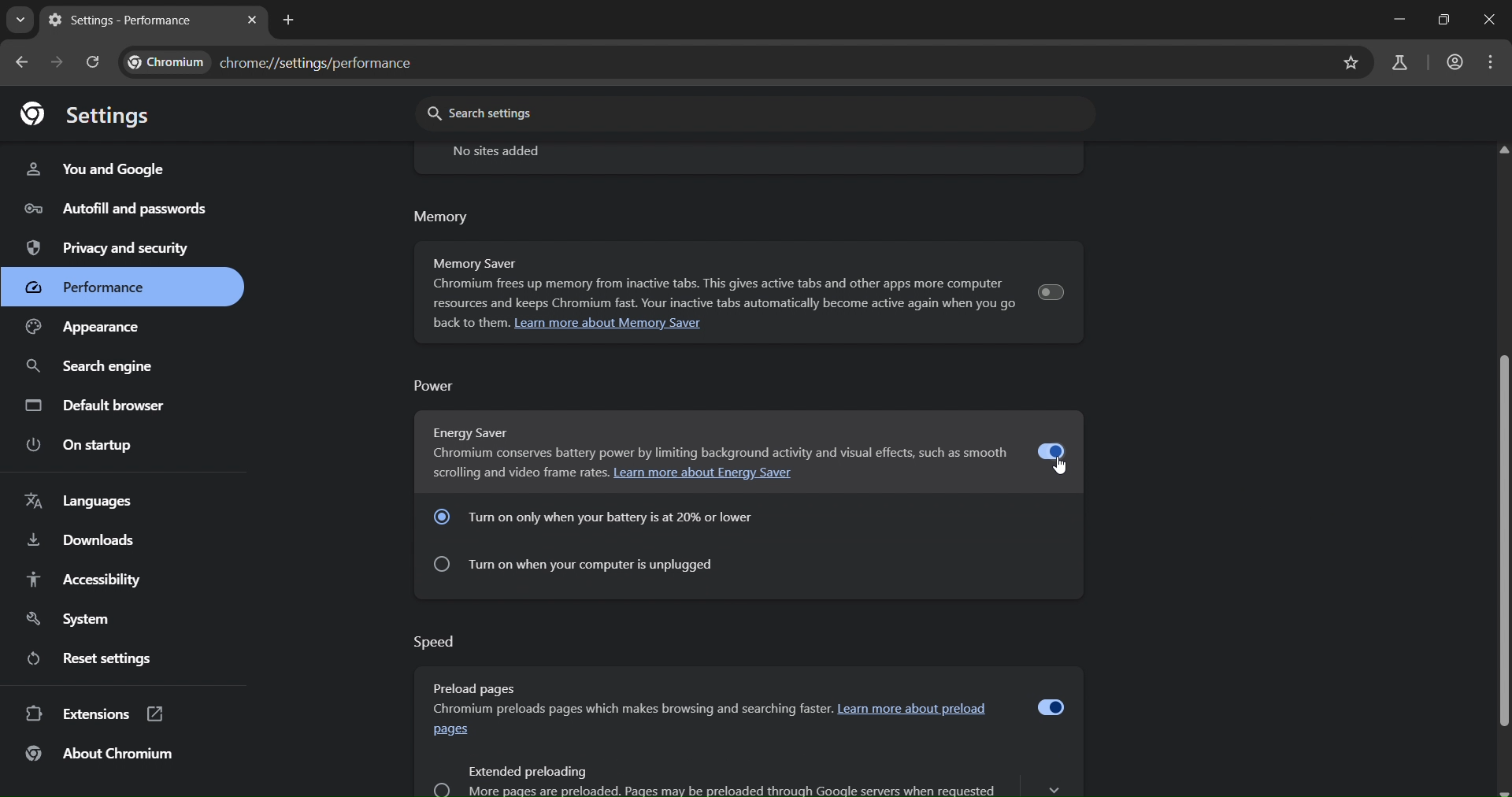 The image size is (1512, 797). I want to click on extensions, so click(94, 712).